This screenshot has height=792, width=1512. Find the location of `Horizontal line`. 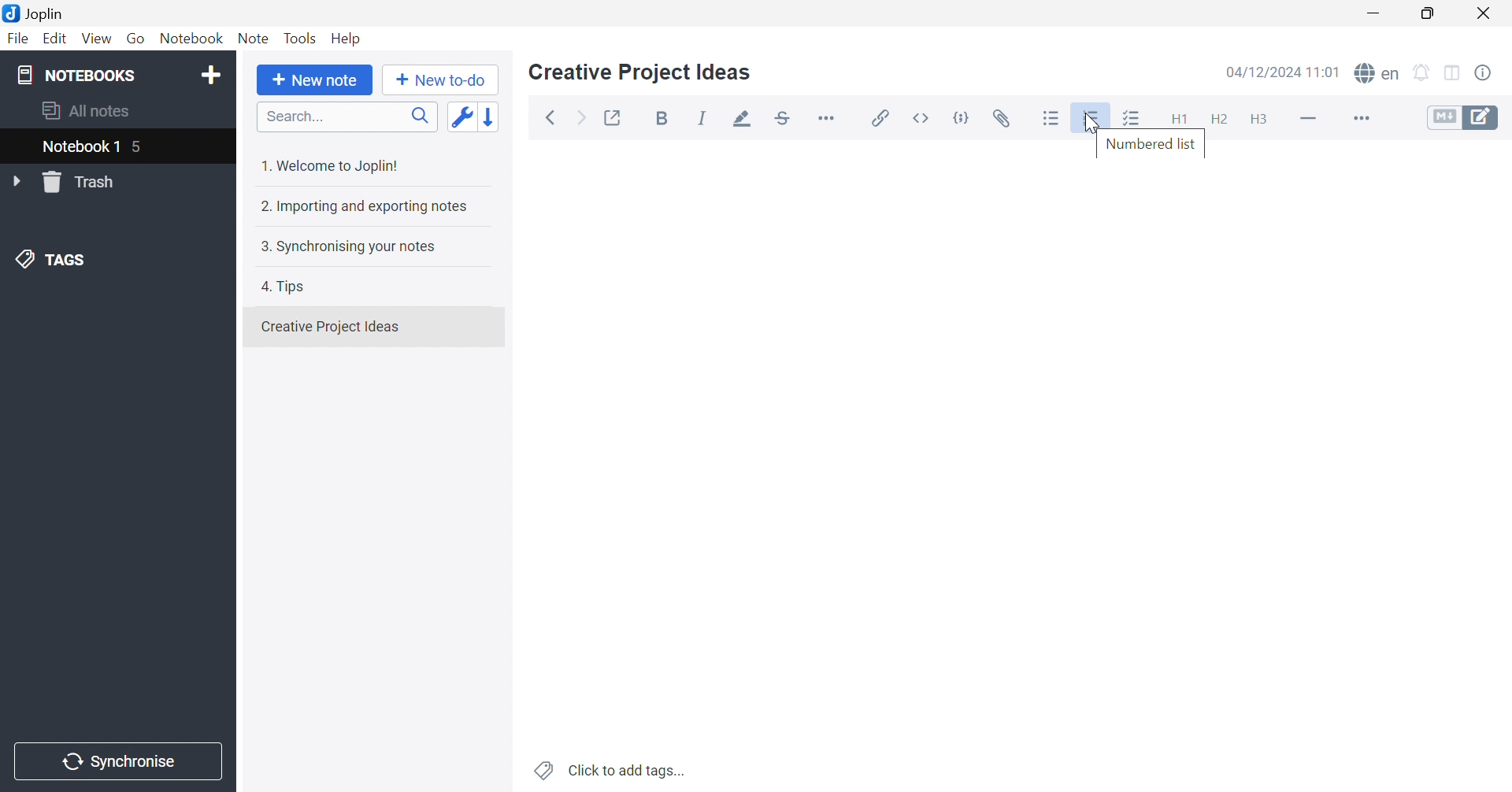

Horizontal line is located at coordinates (1308, 119).